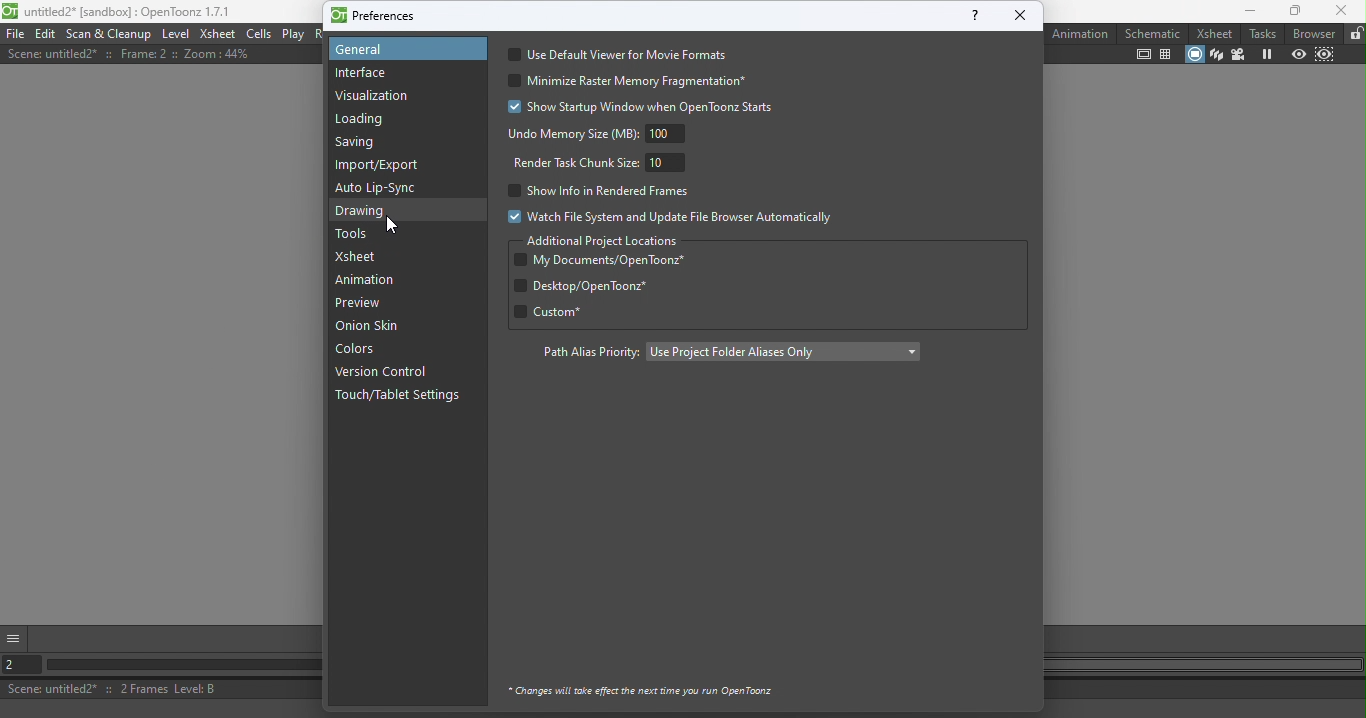 This screenshot has height=718, width=1366. Describe the element at coordinates (1325, 57) in the screenshot. I see `Sub-camera preview` at that location.